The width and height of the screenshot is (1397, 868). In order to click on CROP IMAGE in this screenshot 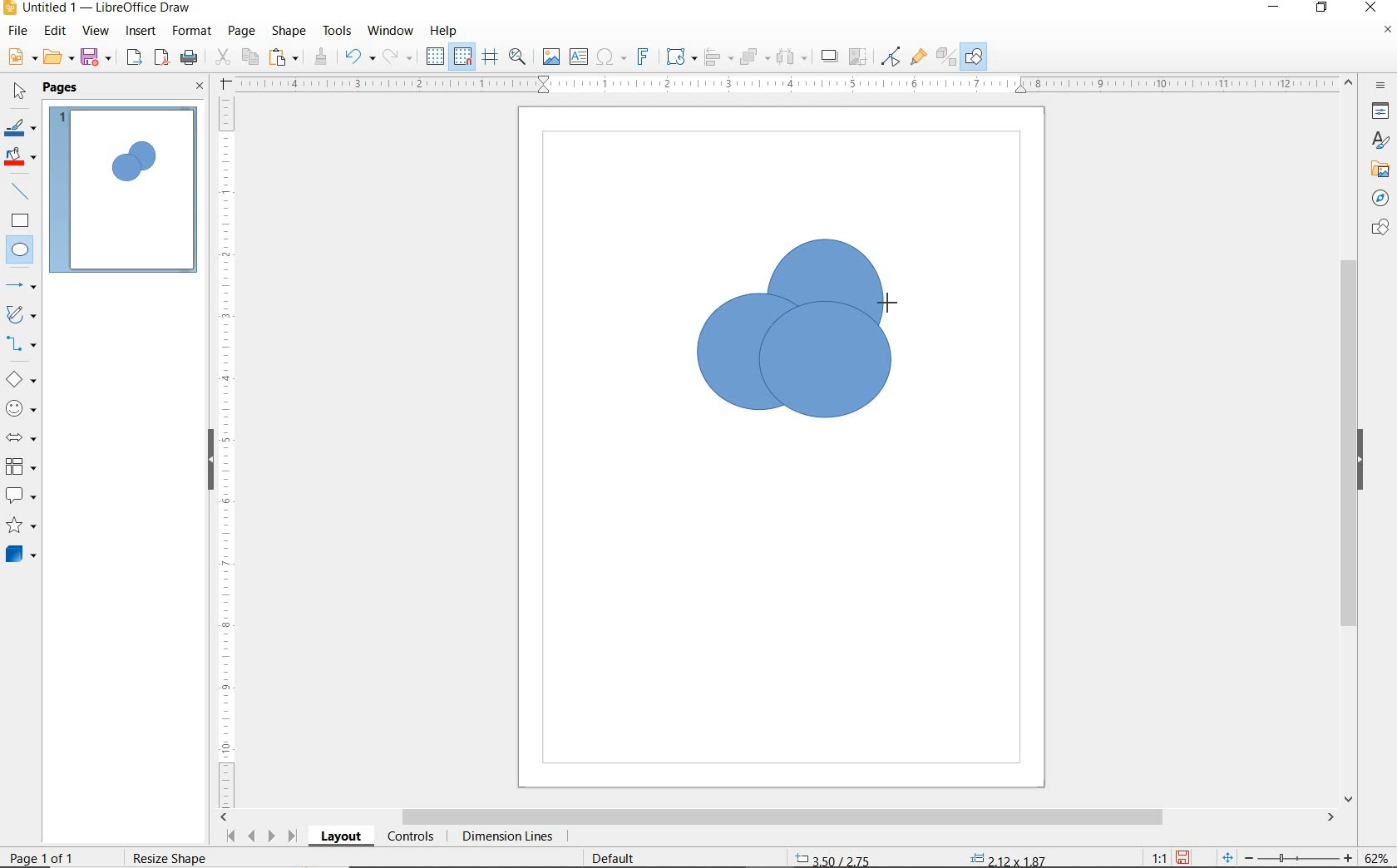, I will do `click(857, 57)`.